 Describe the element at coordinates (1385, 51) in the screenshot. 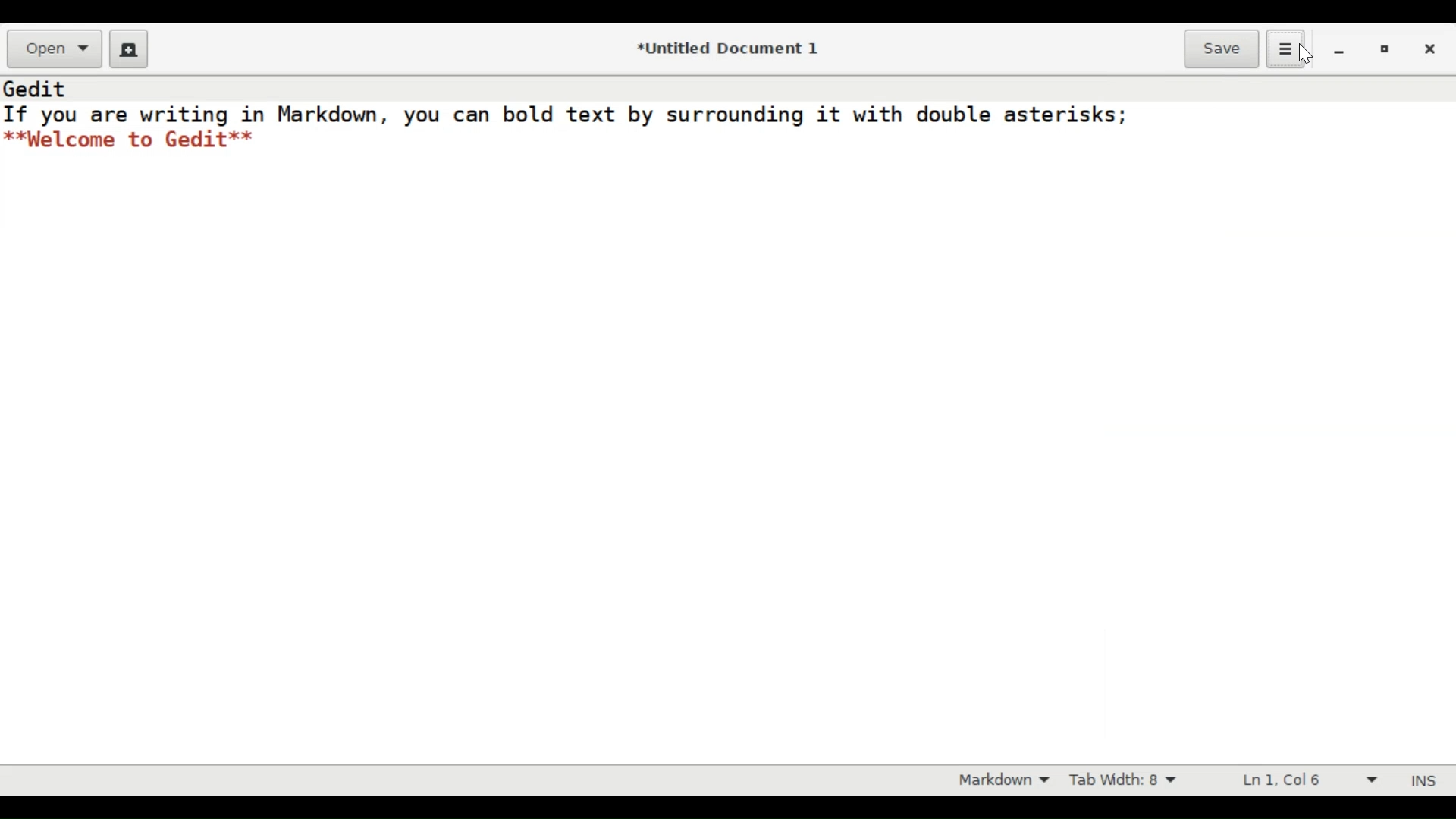

I see `restore` at that location.